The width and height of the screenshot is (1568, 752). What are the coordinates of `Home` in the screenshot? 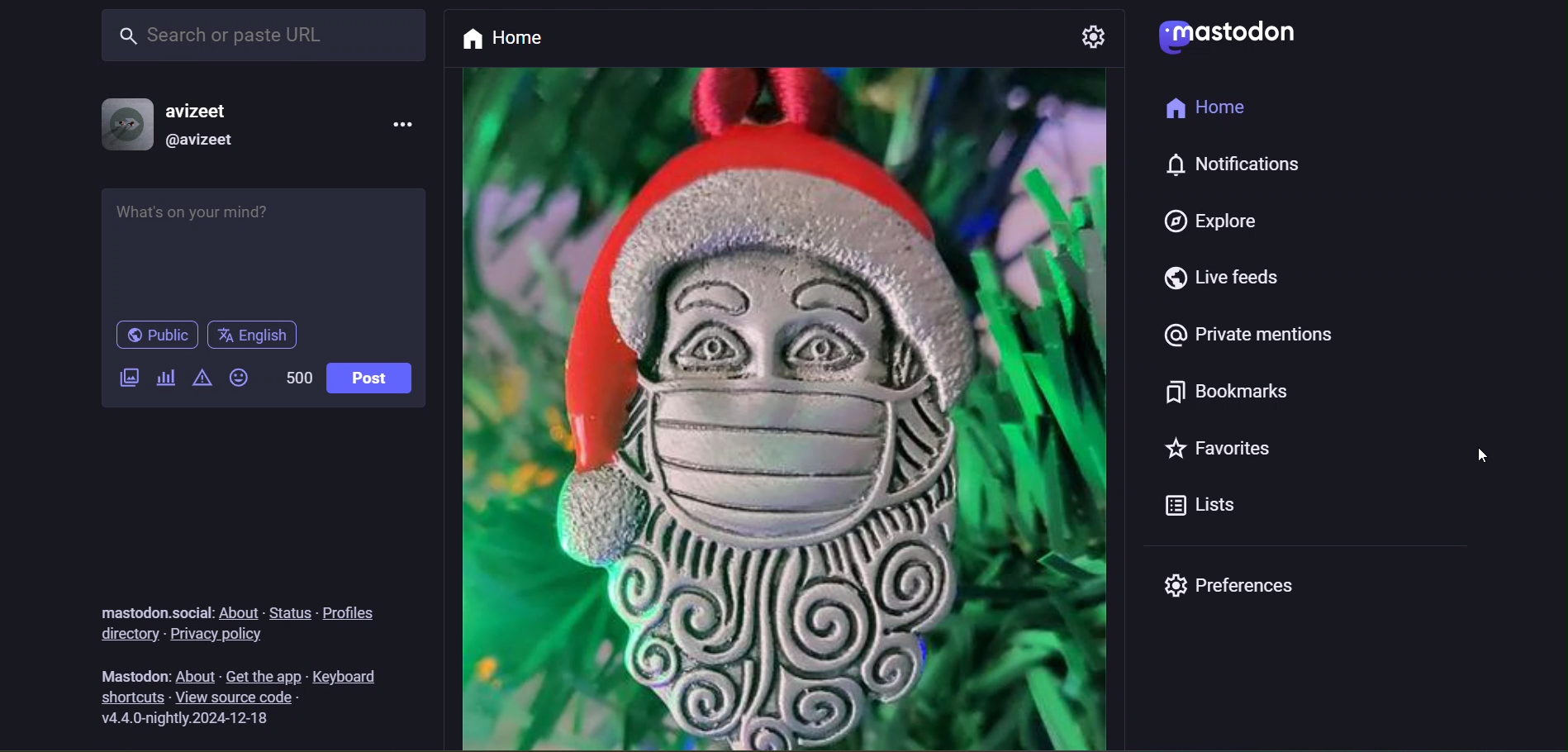 It's located at (1198, 108).